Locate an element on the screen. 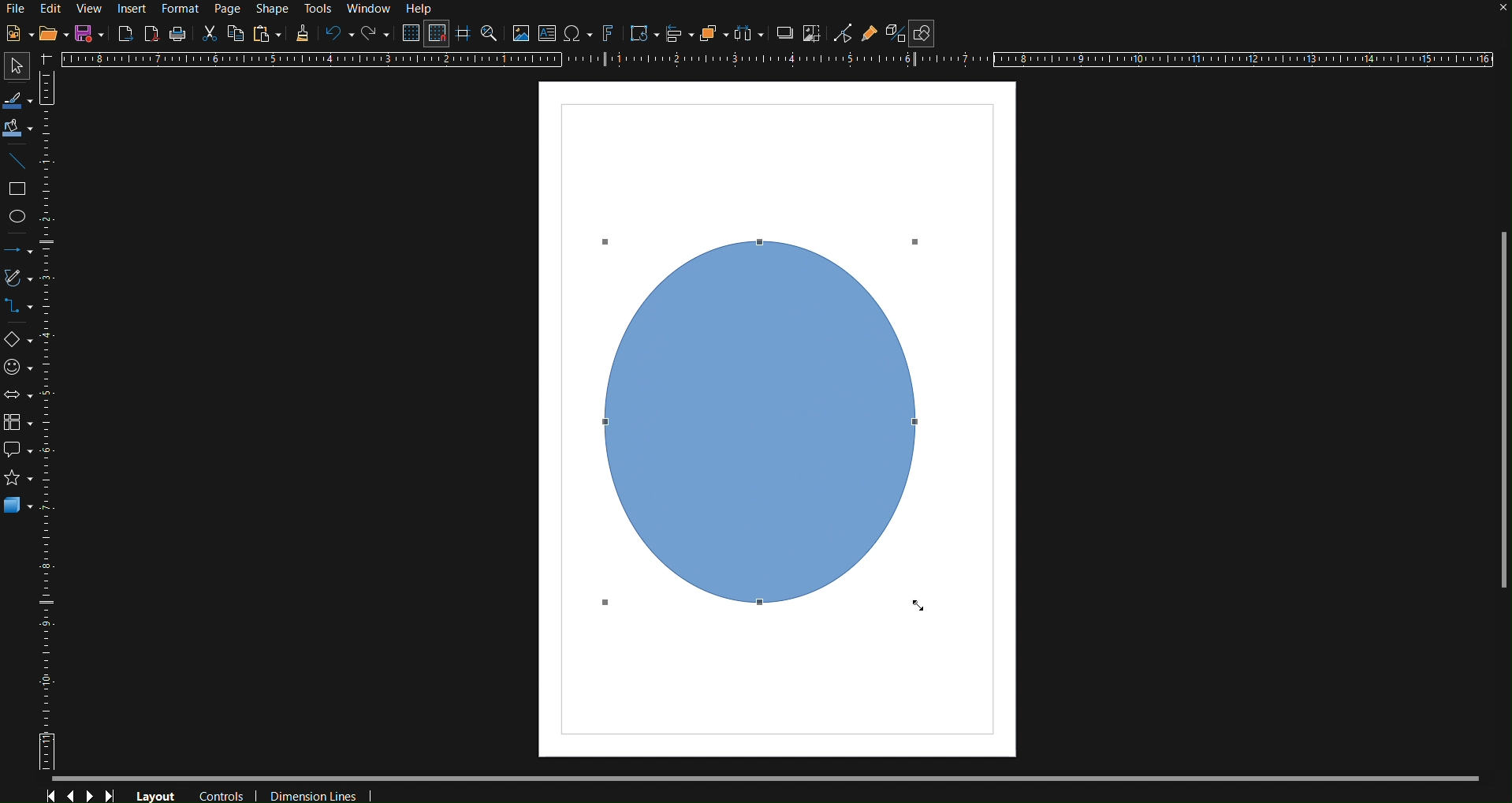 The width and height of the screenshot is (1512, 803). Insert Texbox is located at coordinates (546, 35).